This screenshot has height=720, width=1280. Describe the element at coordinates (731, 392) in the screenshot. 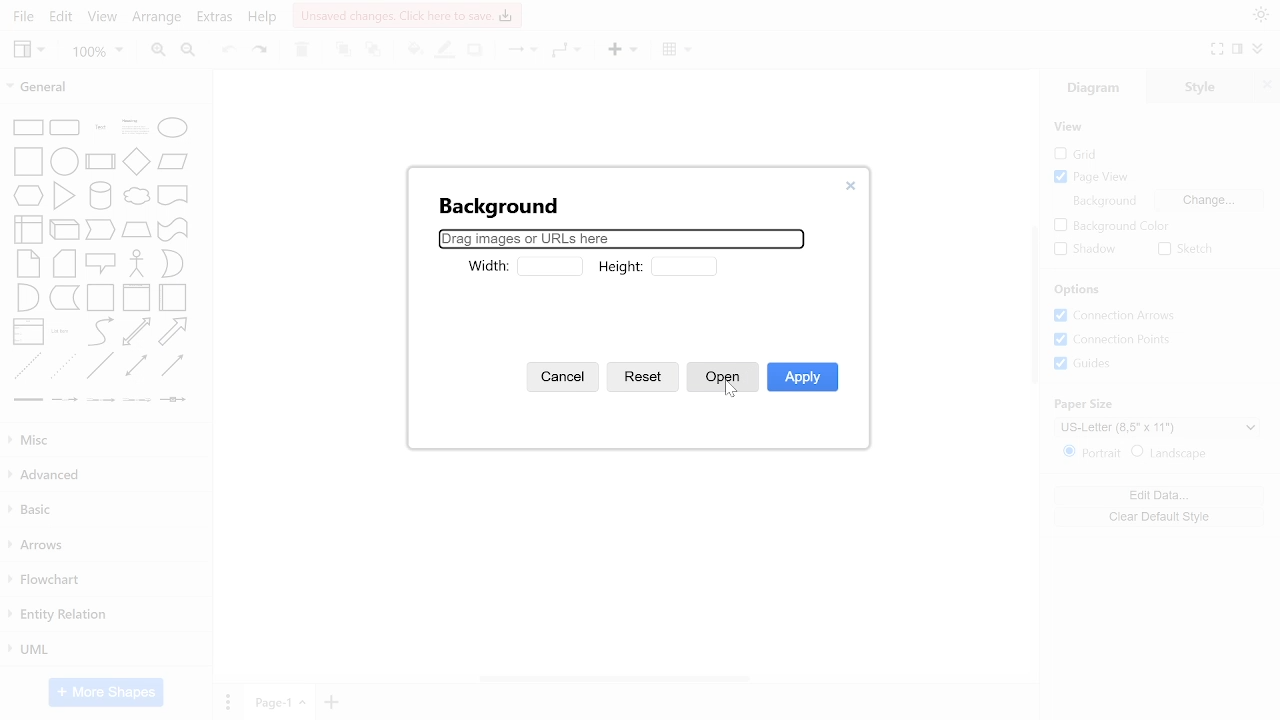

I see `cursor` at that location.